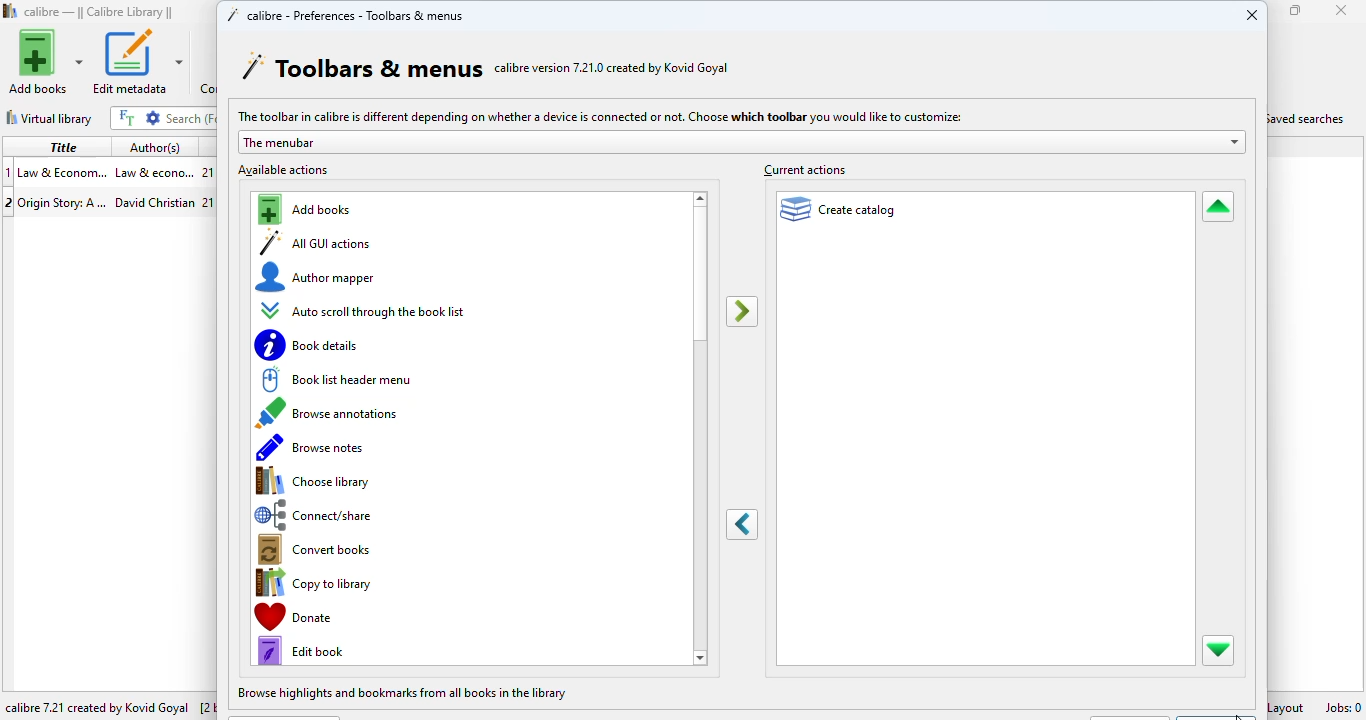 The height and width of the screenshot is (720, 1366). I want to click on calibre - preferences - toolbars & menus, so click(344, 14).